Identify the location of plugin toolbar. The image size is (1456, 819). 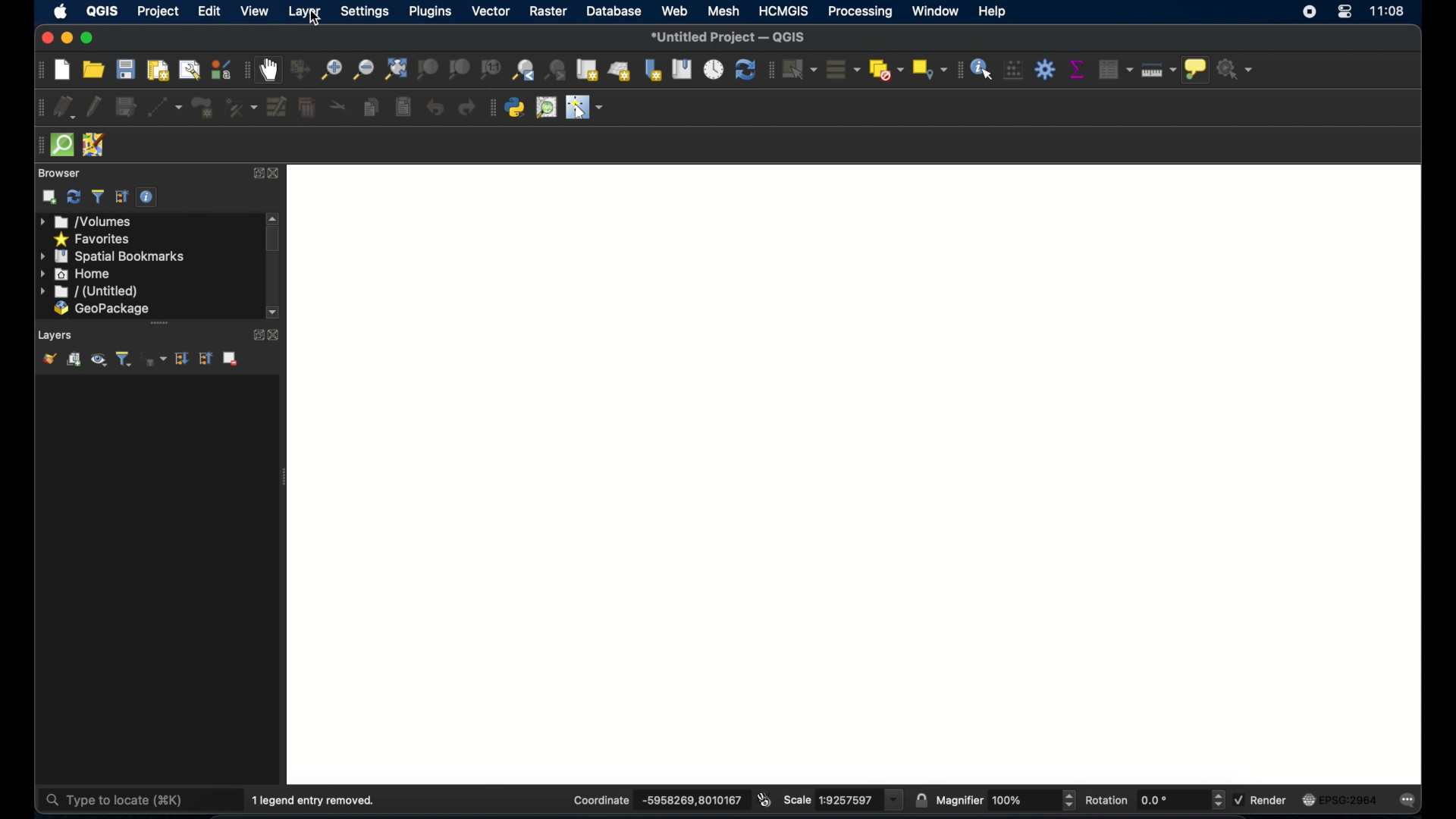
(491, 108).